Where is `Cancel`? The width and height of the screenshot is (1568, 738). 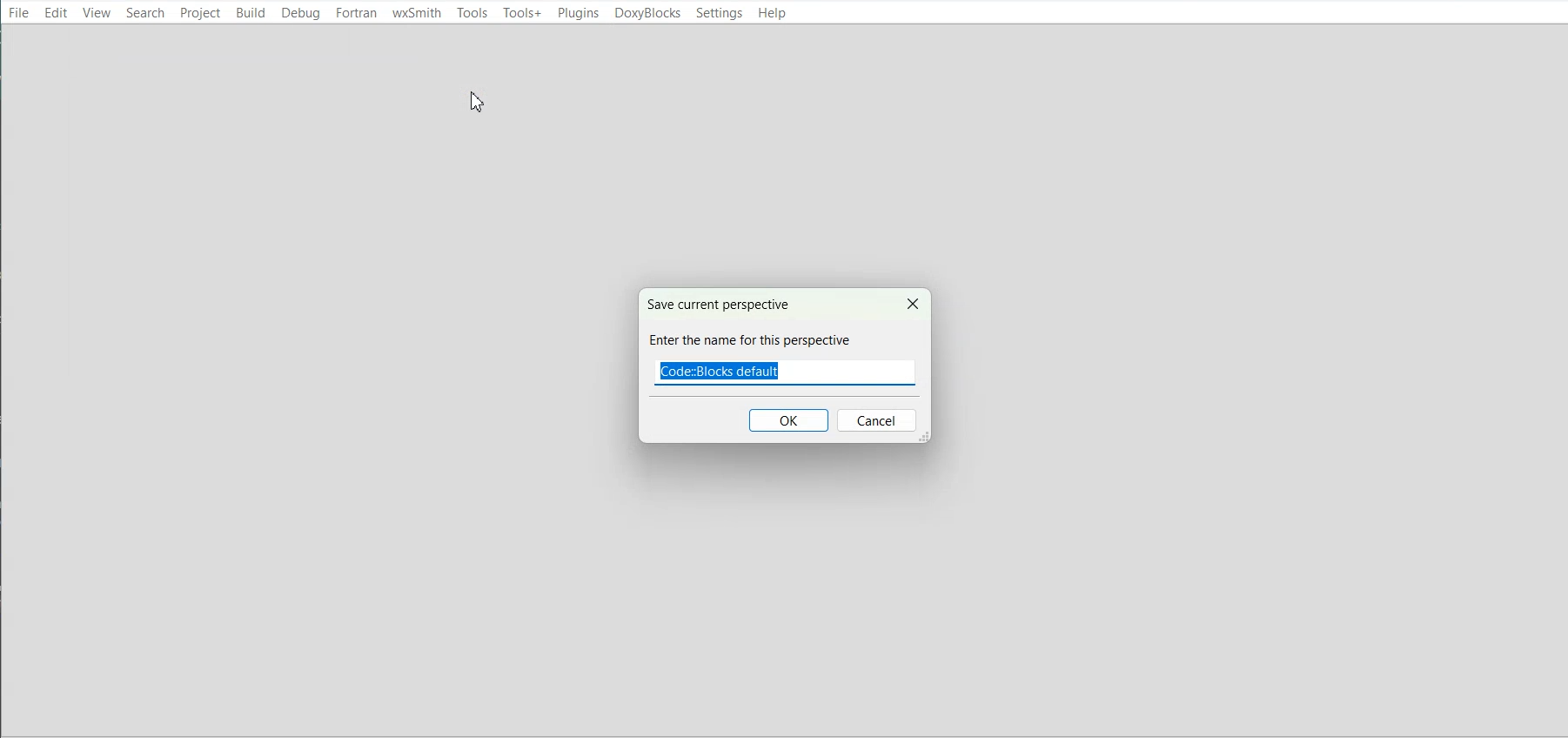 Cancel is located at coordinates (910, 302).